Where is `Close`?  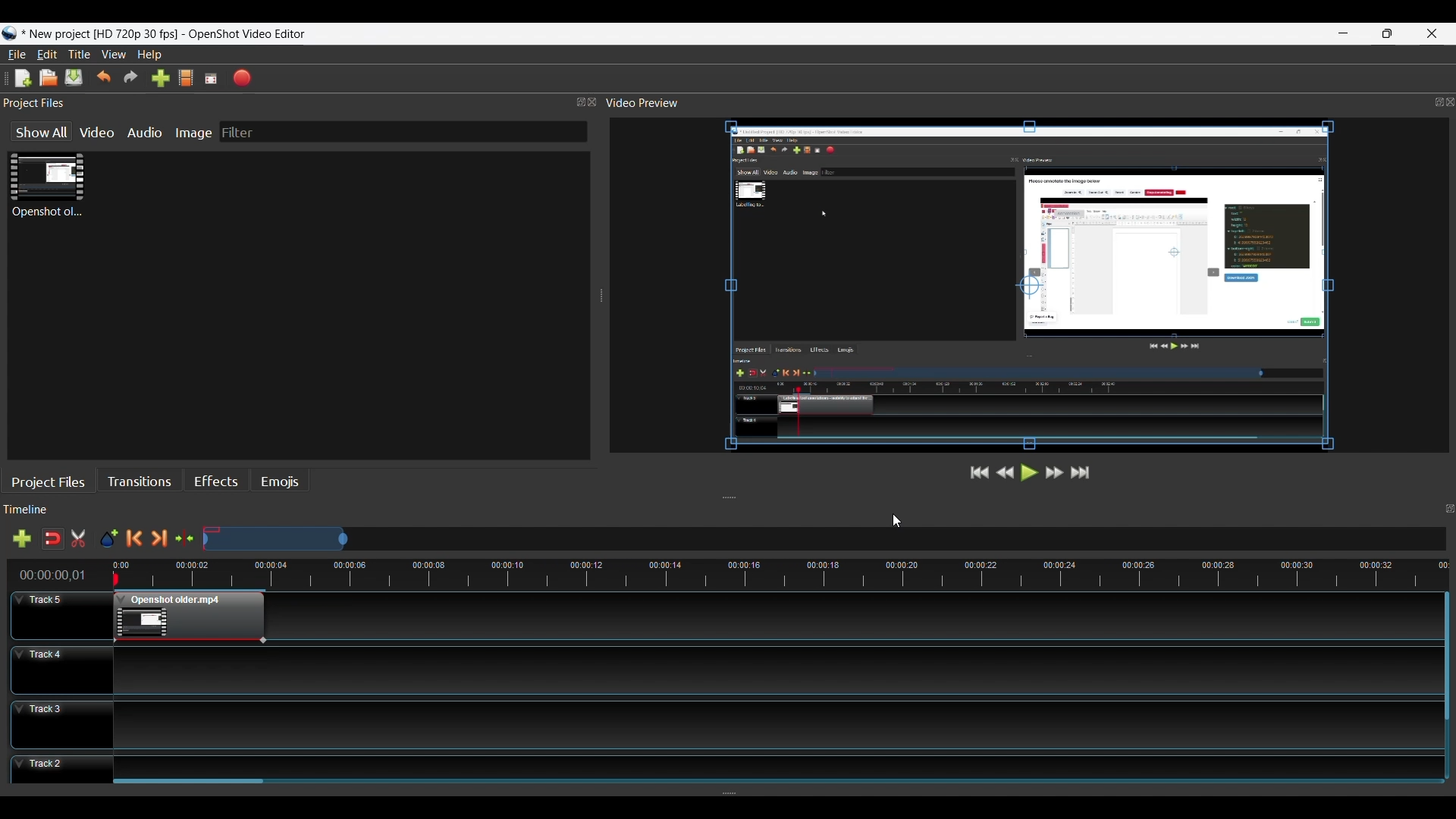 Close is located at coordinates (1432, 33).